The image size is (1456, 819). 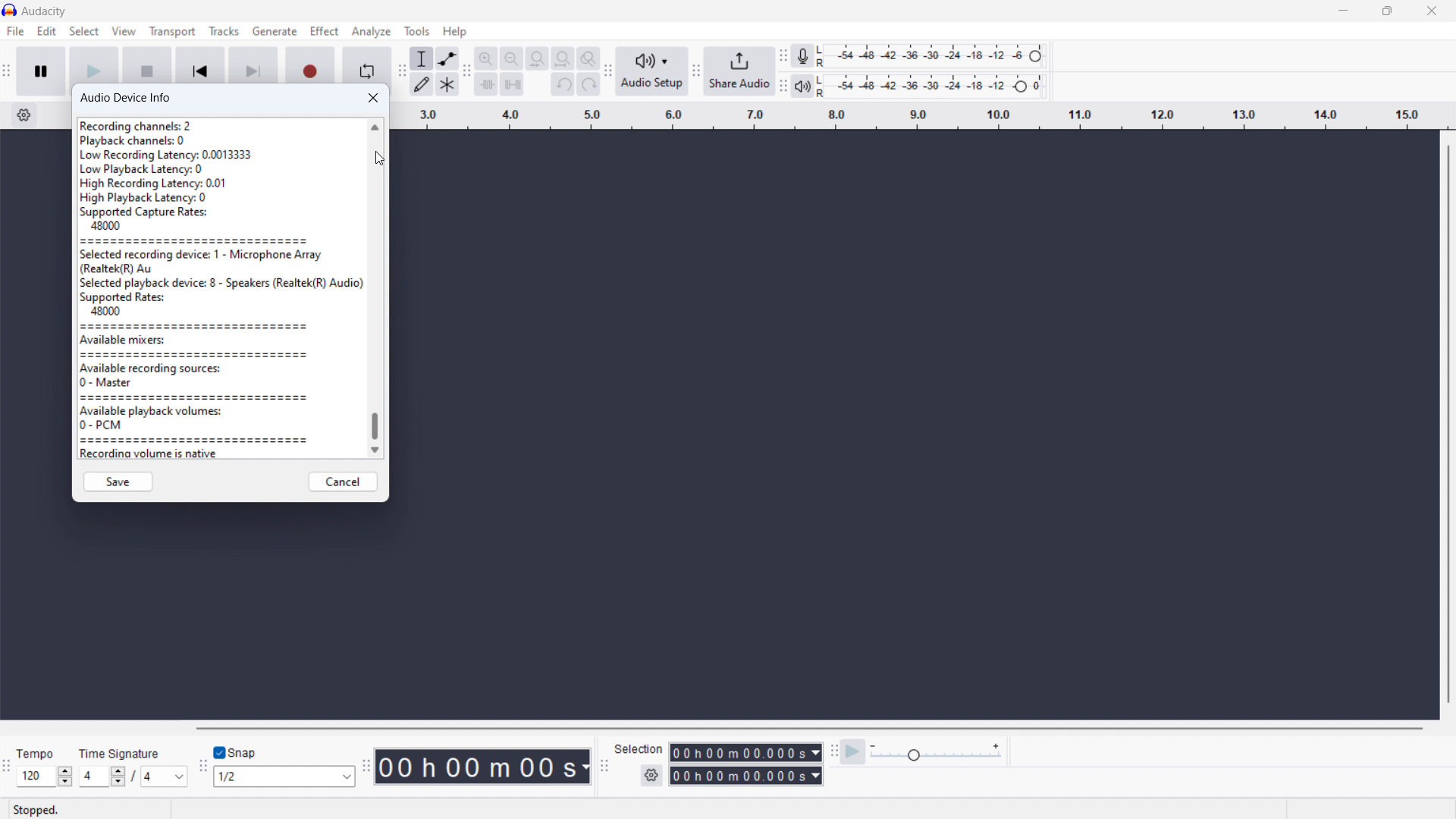 I want to click on transort toolbar, so click(x=7, y=71).